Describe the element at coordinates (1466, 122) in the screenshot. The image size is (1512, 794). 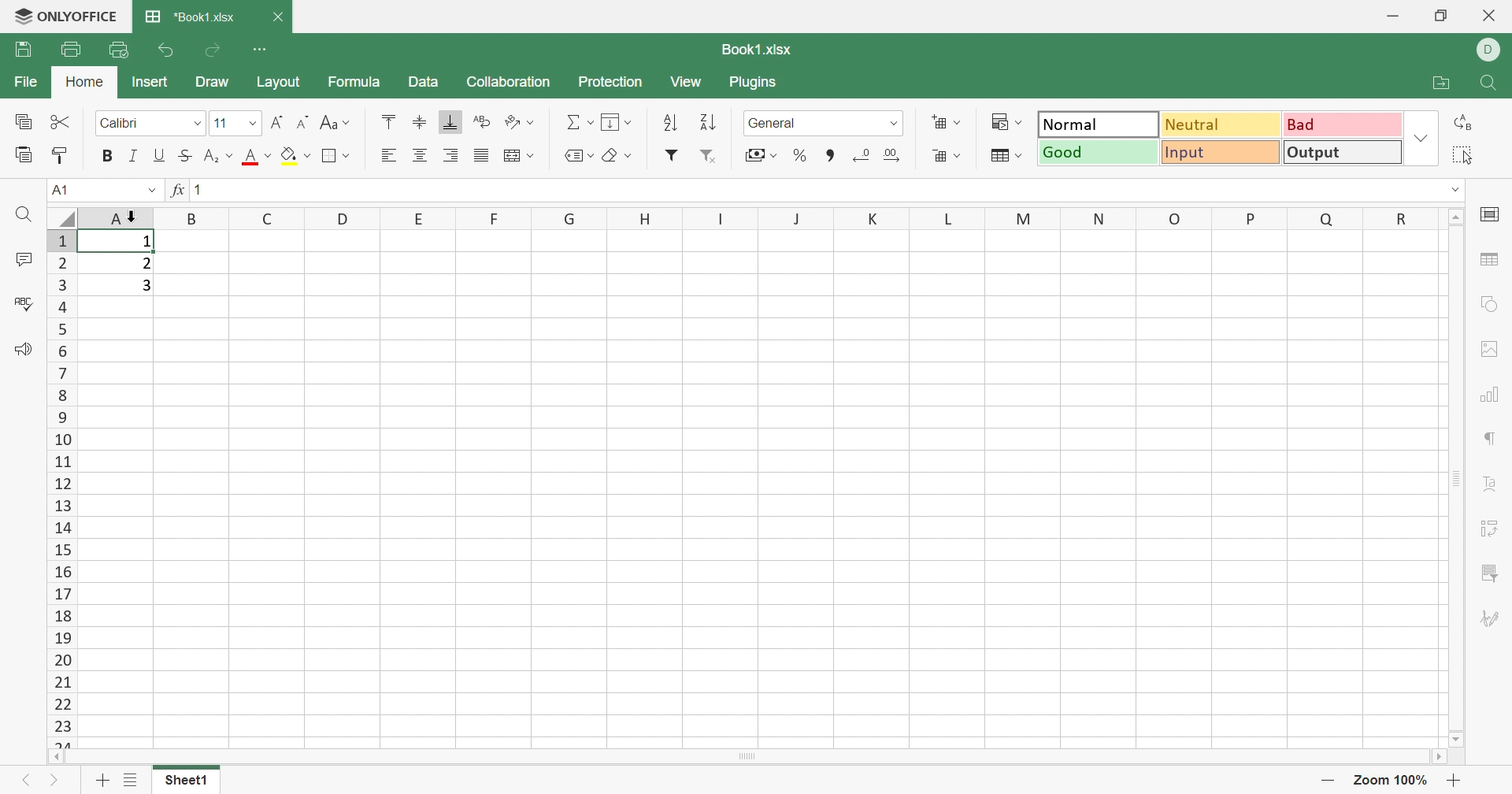
I see `Replace` at that location.